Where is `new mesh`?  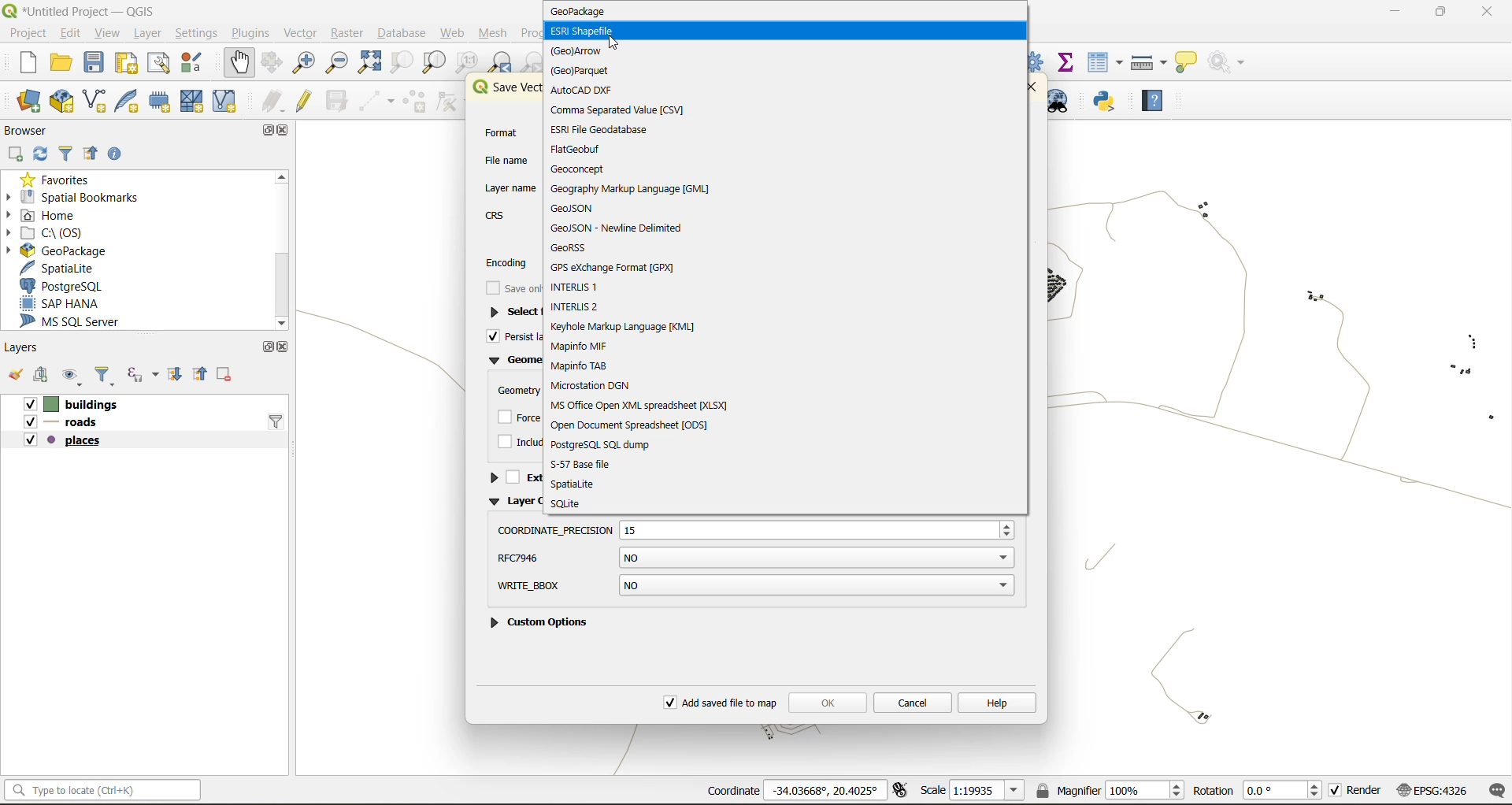 new mesh is located at coordinates (191, 101).